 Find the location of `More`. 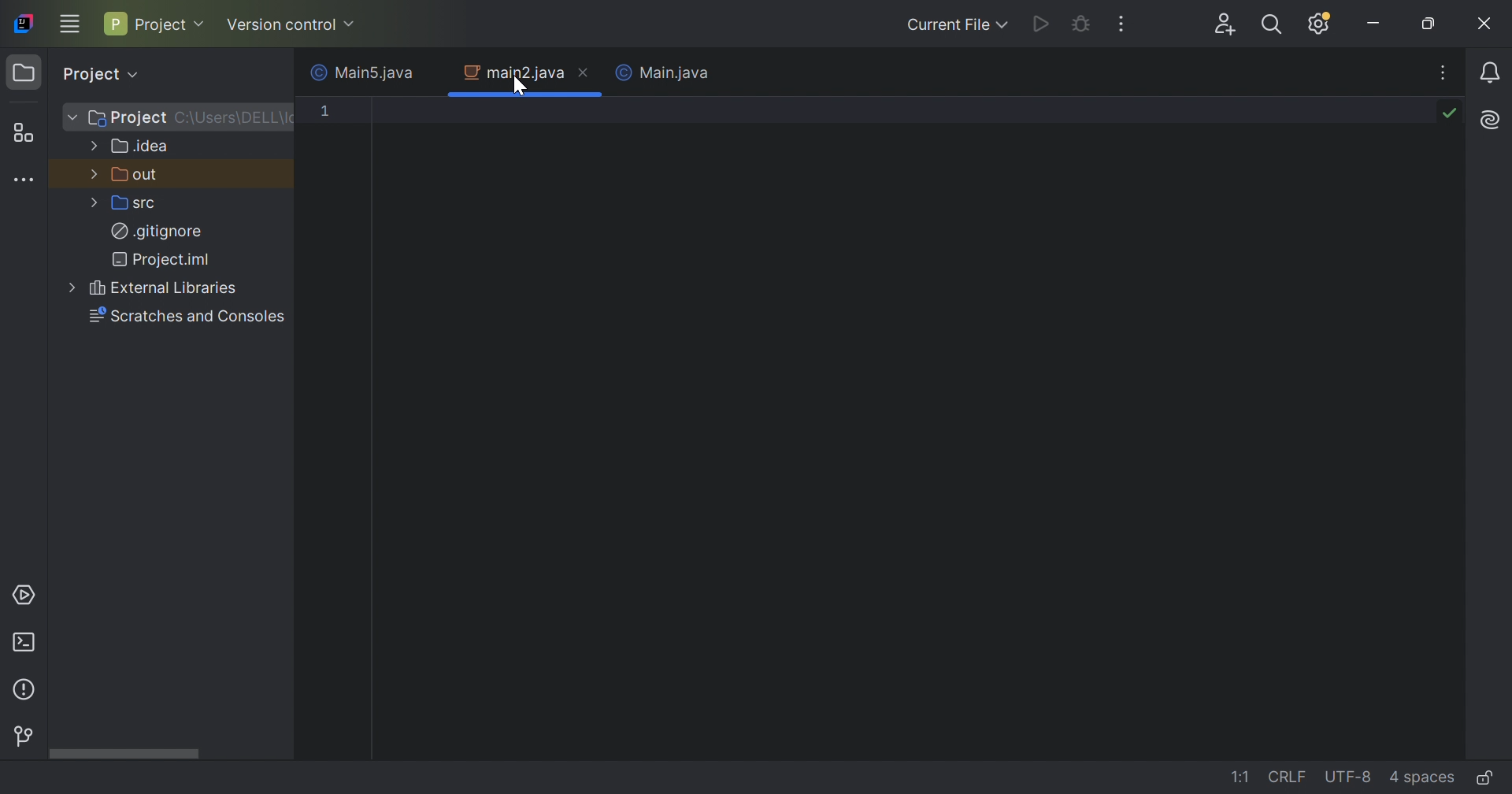

More is located at coordinates (94, 173).